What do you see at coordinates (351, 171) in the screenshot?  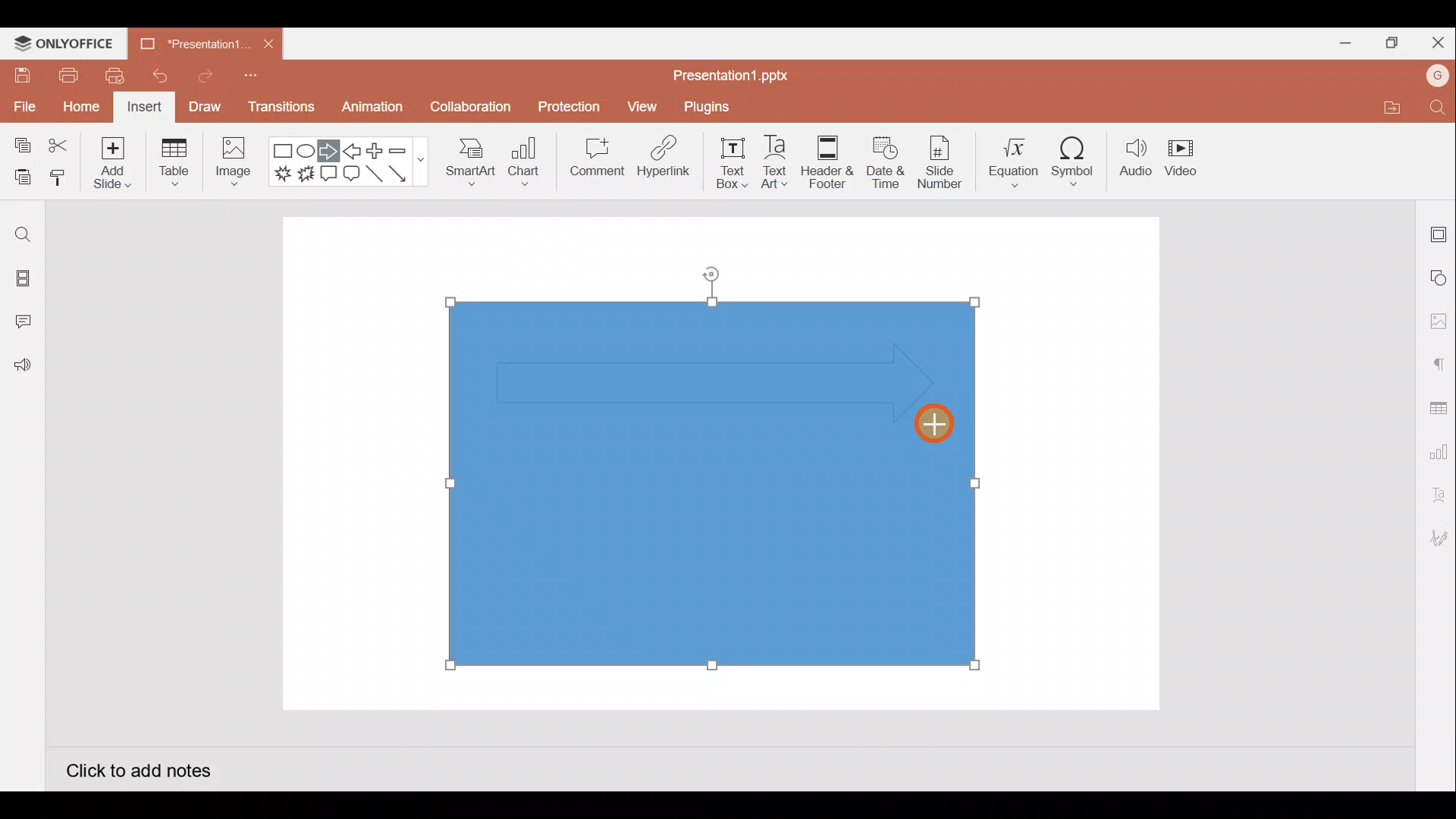 I see `Rounded Rectangular callout` at bounding box center [351, 171].